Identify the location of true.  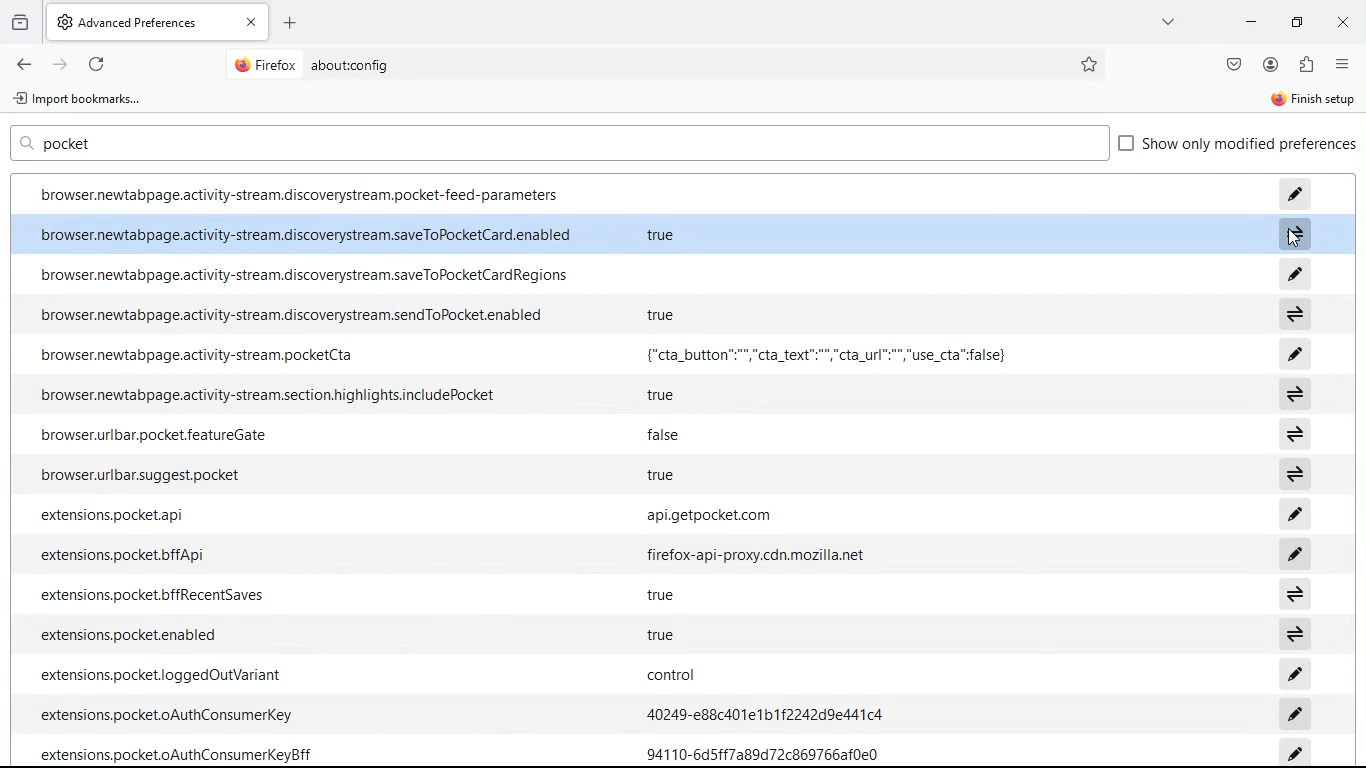
(661, 595).